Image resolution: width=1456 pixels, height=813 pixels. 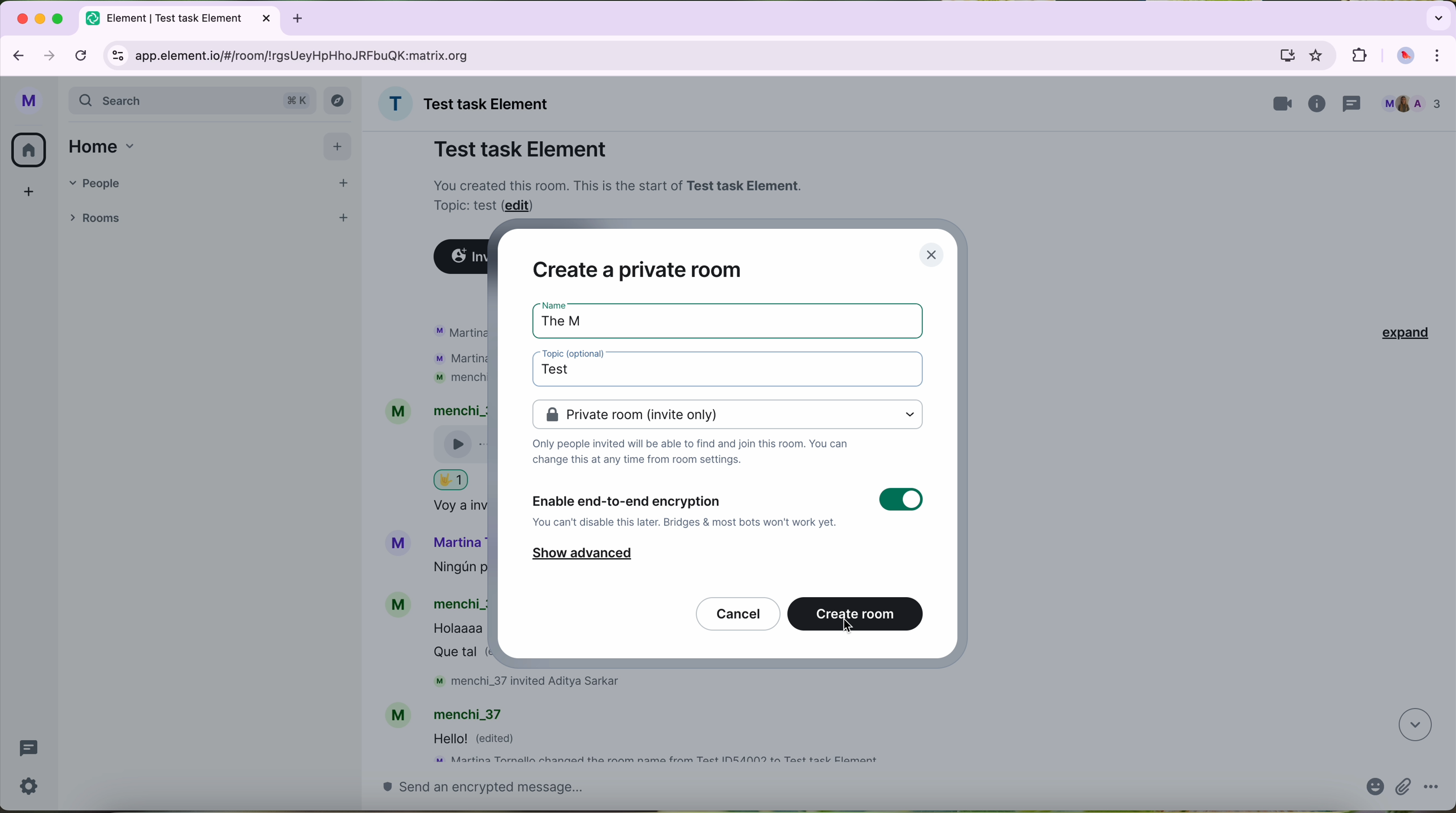 I want to click on send a message, so click(x=852, y=792).